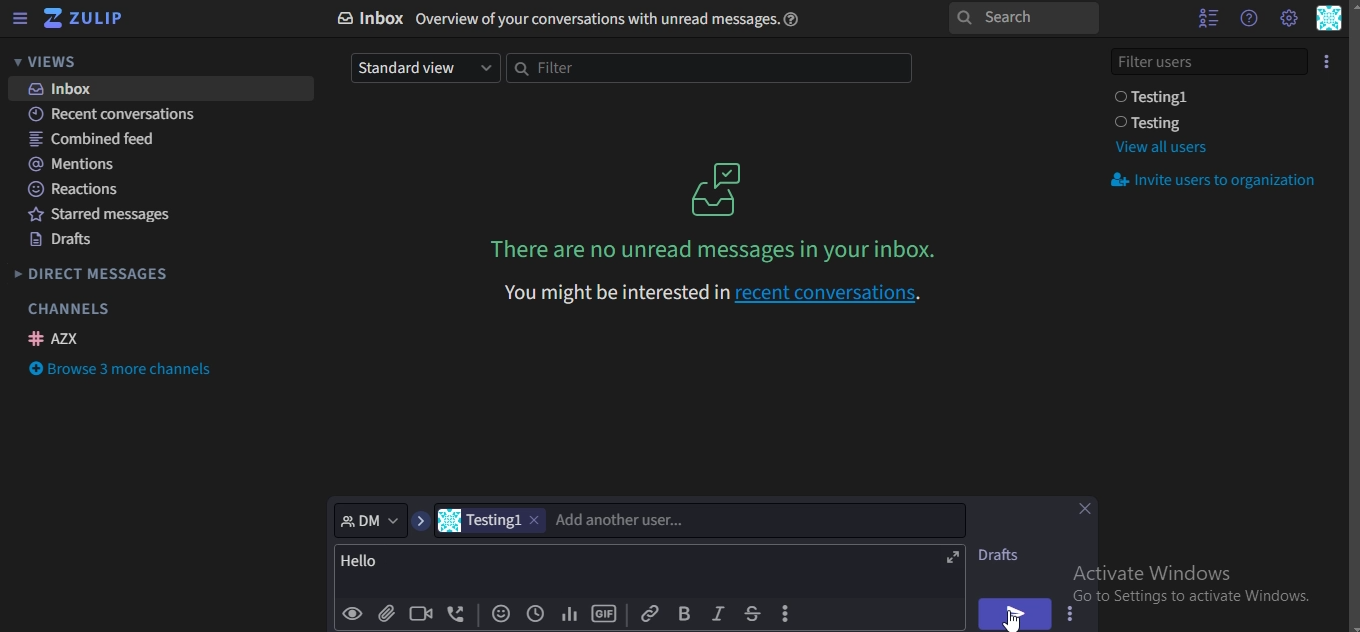  I want to click on testing1, so click(494, 520).